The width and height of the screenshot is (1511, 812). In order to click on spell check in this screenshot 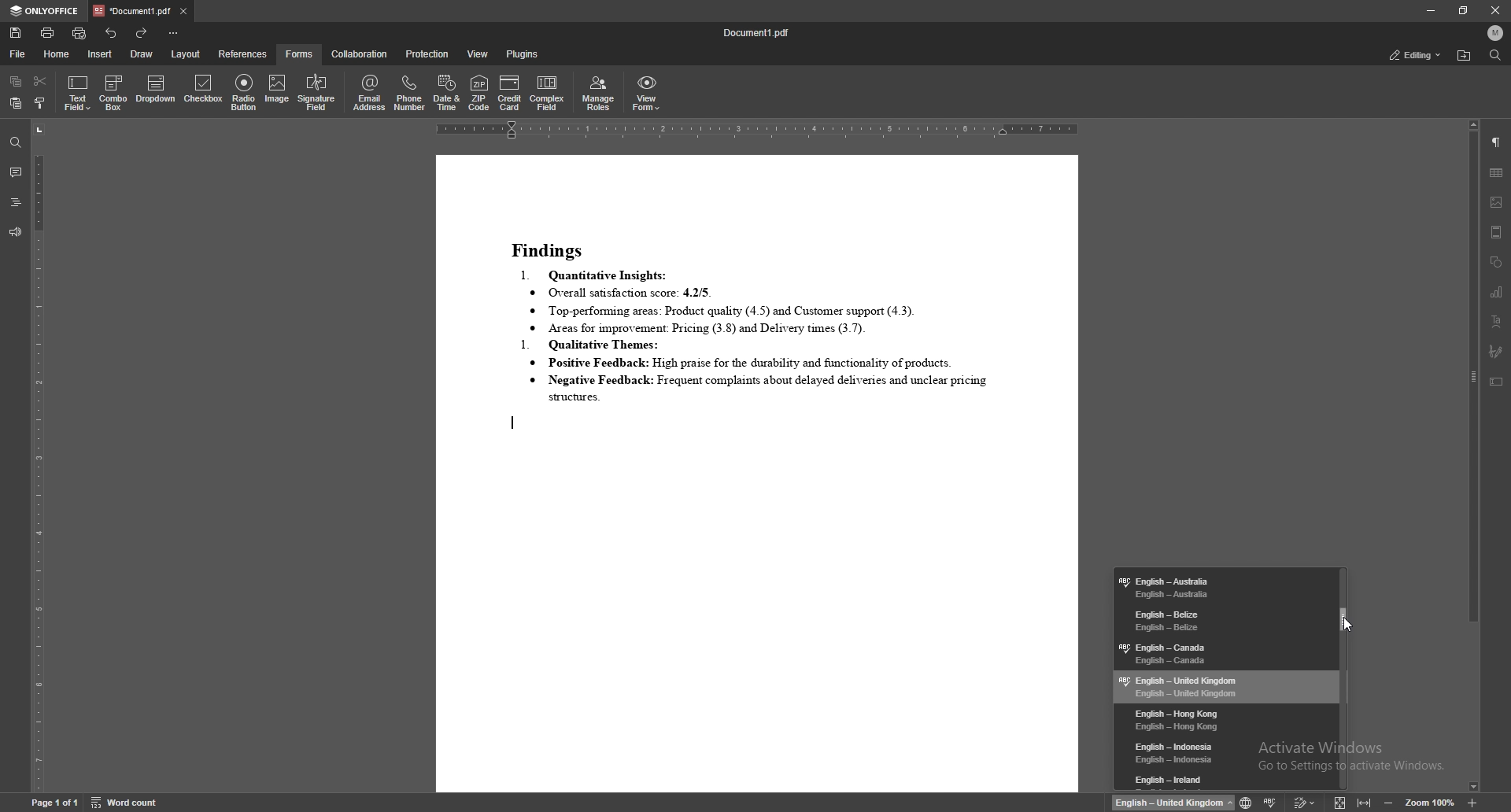, I will do `click(1271, 802)`.